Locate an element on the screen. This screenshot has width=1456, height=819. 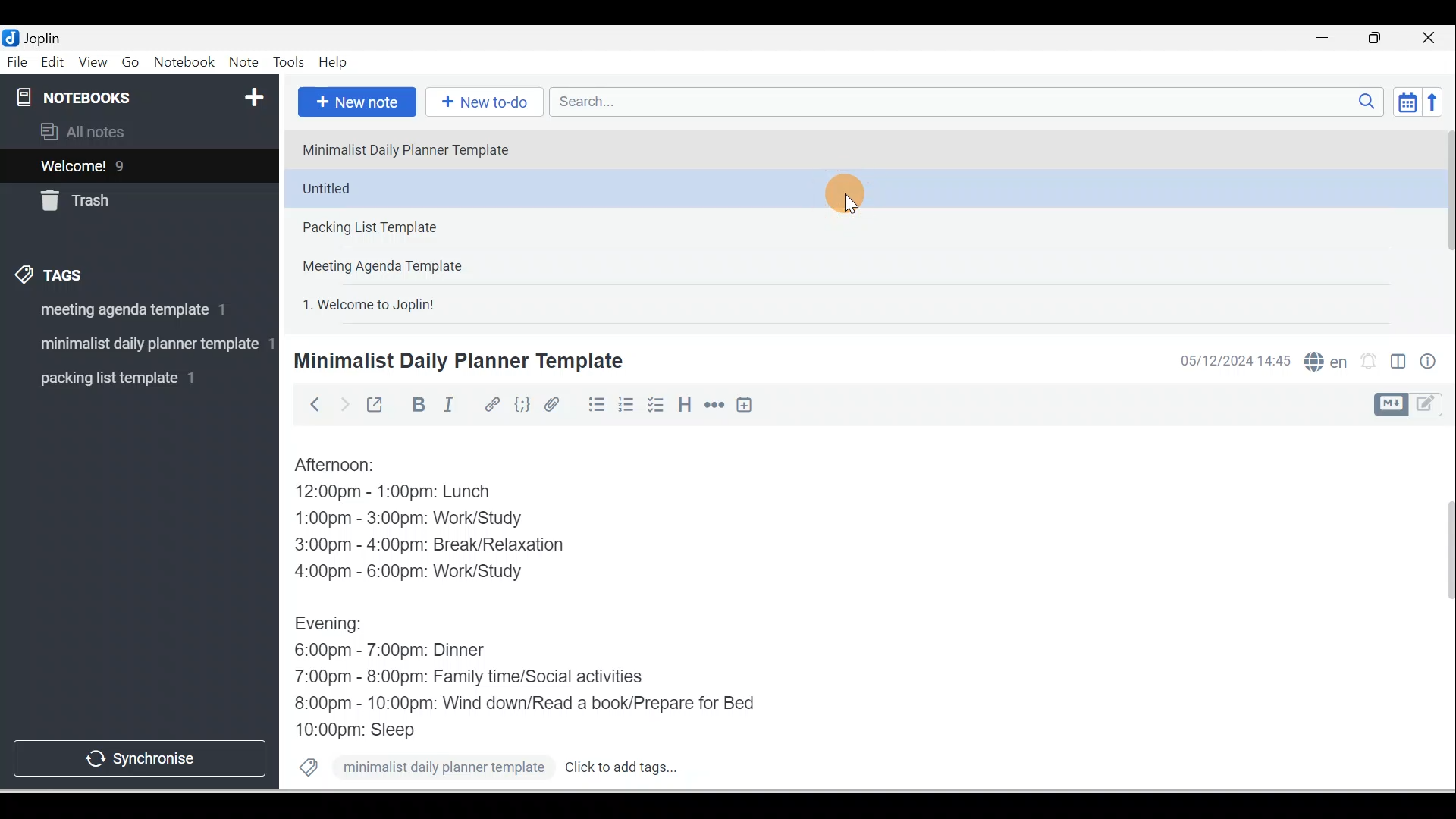
Click to add tags is located at coordinates (648, 763).